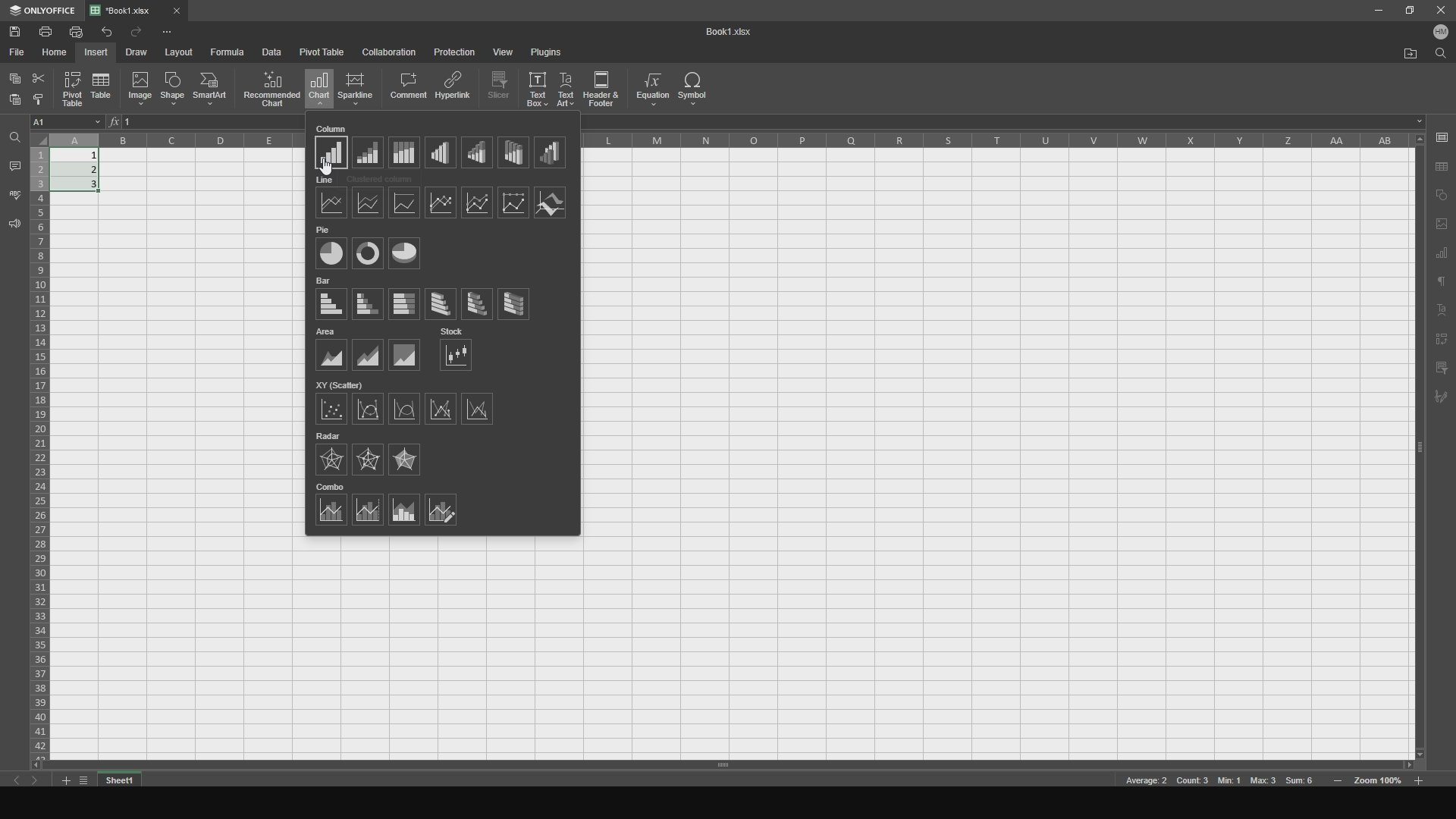 The height and width of the screenshot is (819, 1456). I want to click on recommended chart, so click(268, 91).